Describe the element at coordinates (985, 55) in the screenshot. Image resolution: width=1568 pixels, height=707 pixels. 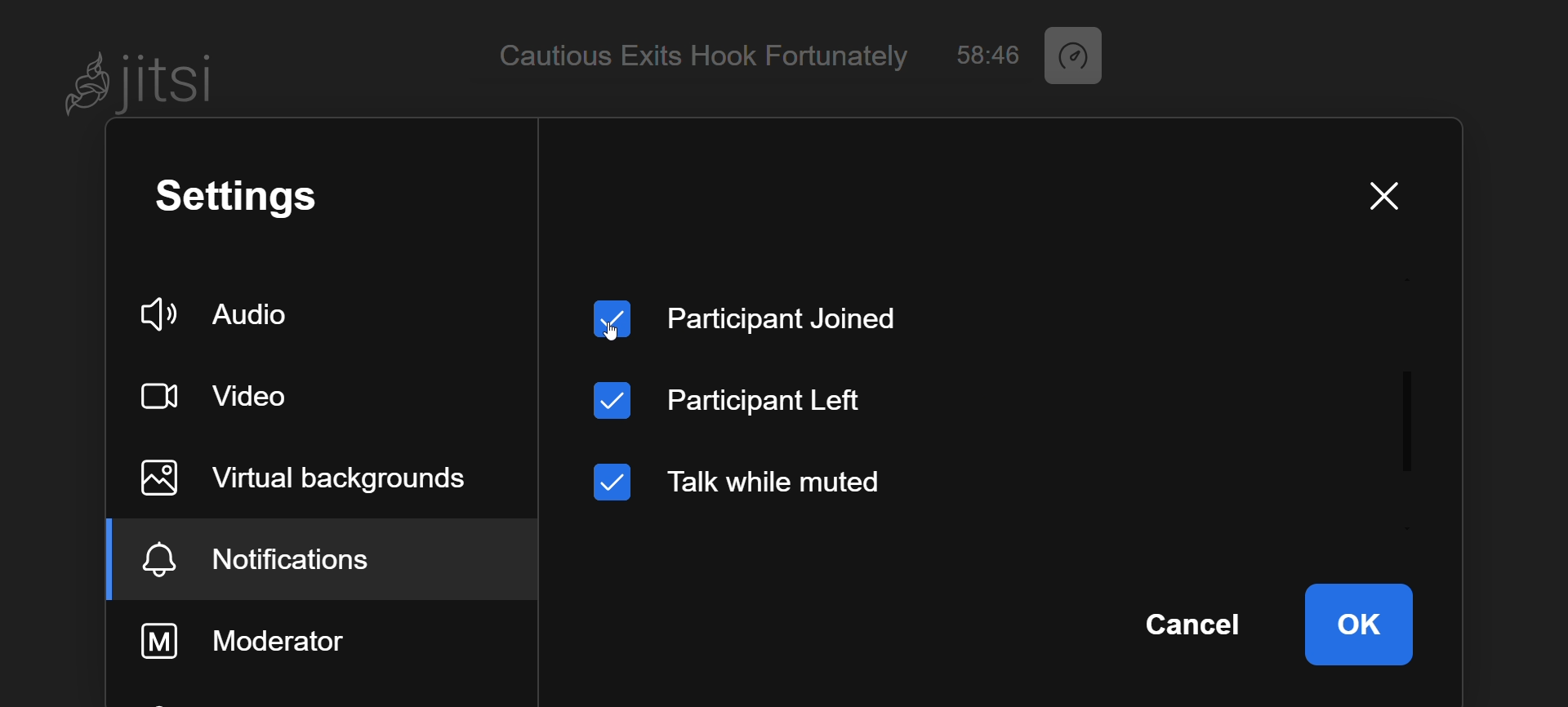
I see `58:46` at that location.